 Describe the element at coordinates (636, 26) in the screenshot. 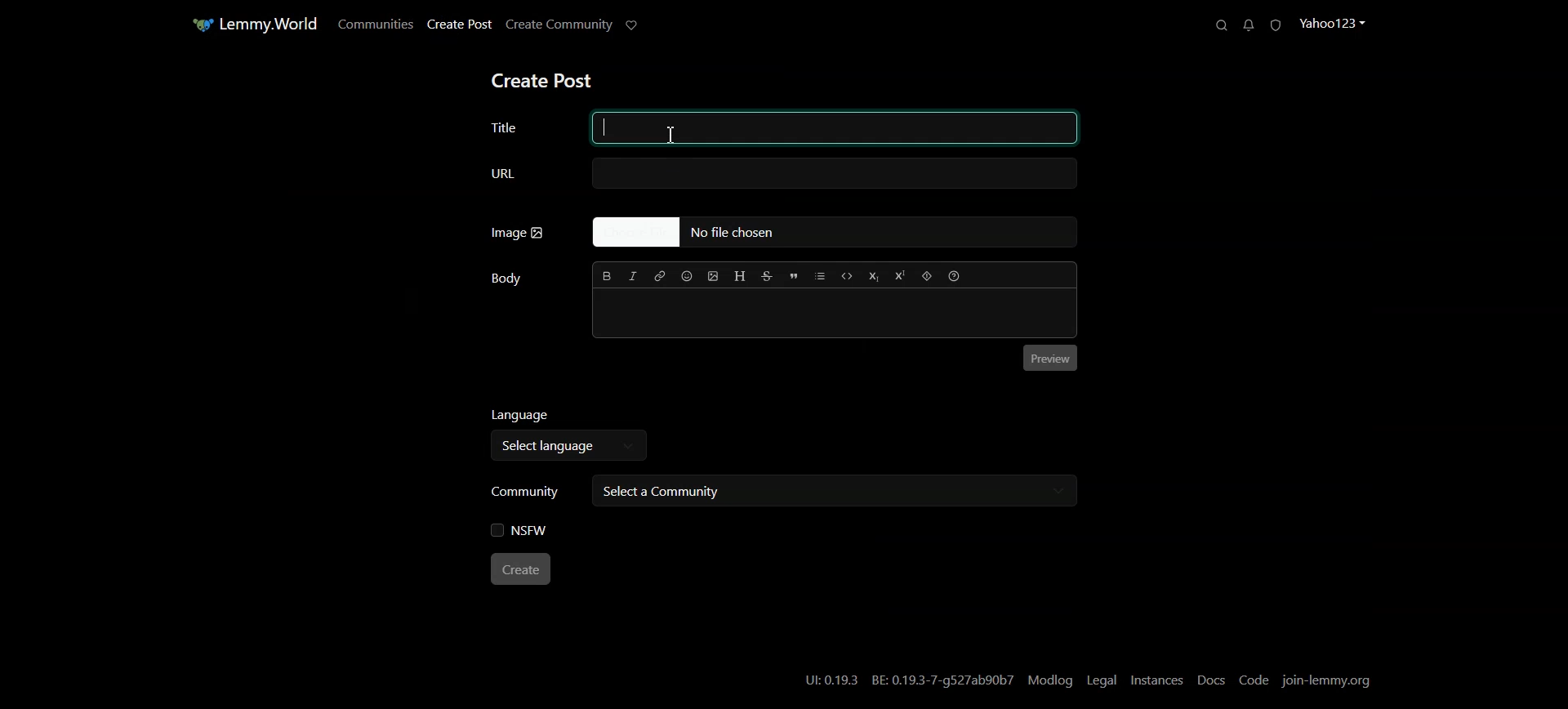

I see `Support Limmy` at that location.